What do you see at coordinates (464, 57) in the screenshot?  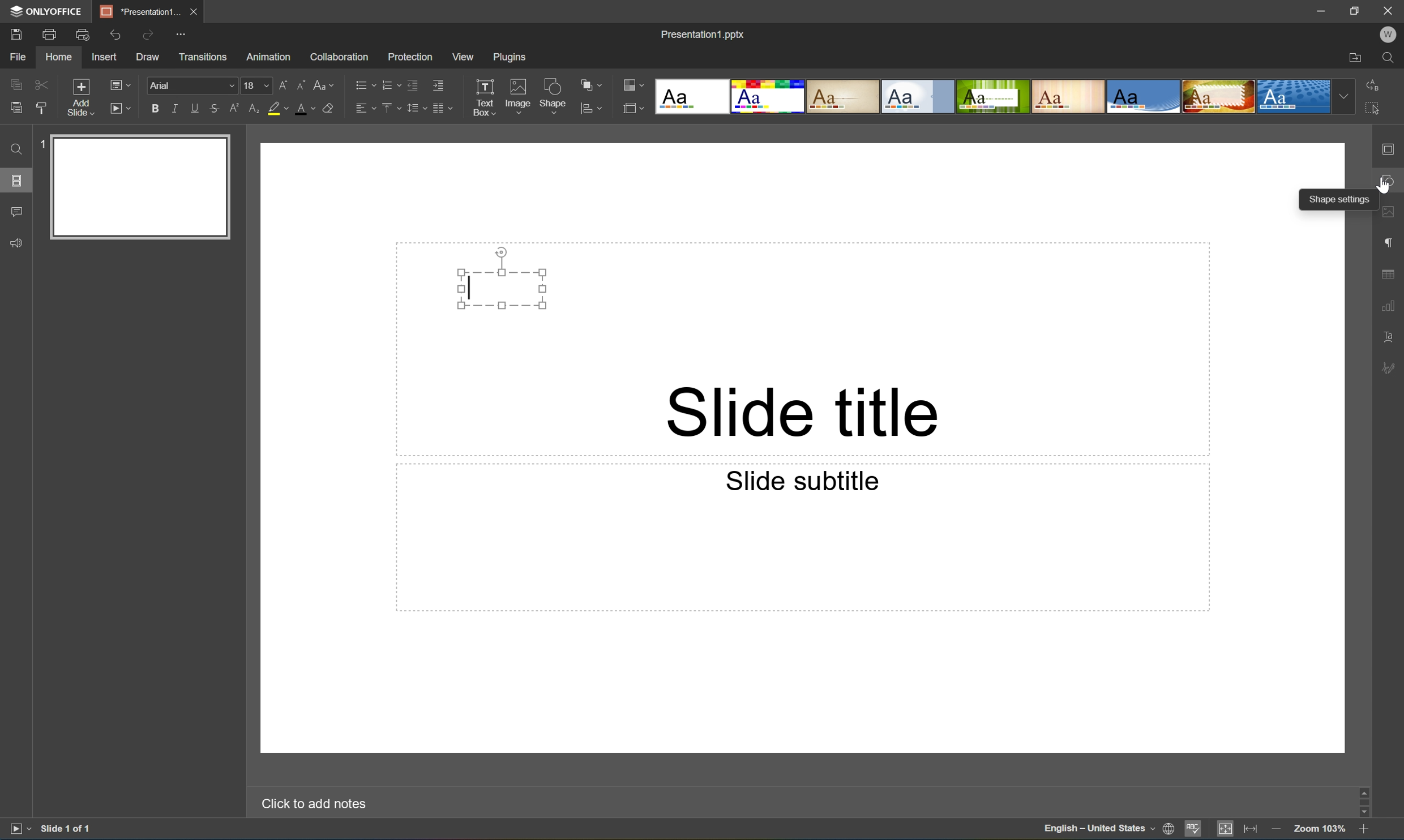 I see `View` at bounding box center [464, 57].